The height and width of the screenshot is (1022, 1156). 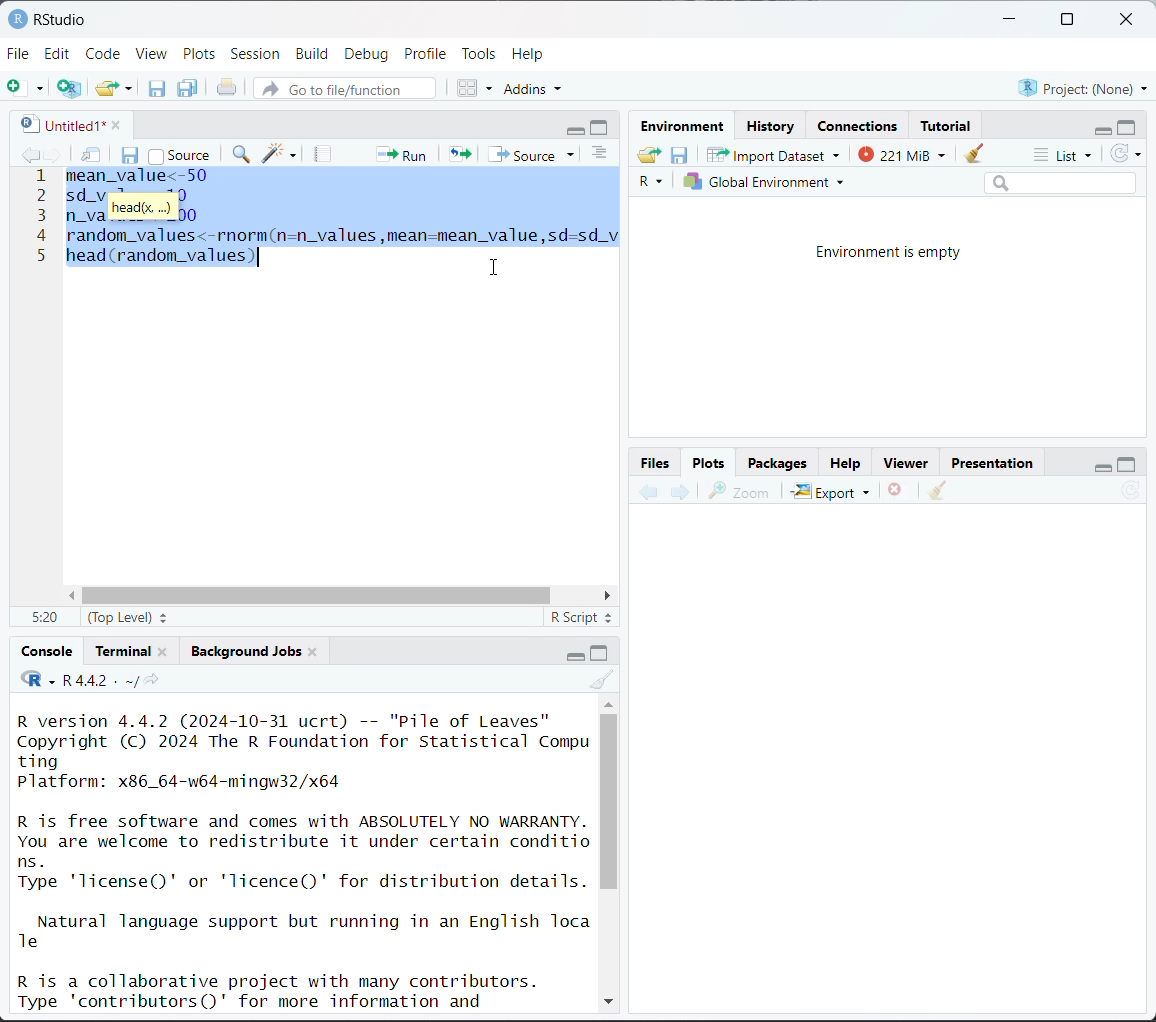 What do you see at coordinates (652, 157) in the screenshot?
I see `load workspace` at bounding box center [652, 157].